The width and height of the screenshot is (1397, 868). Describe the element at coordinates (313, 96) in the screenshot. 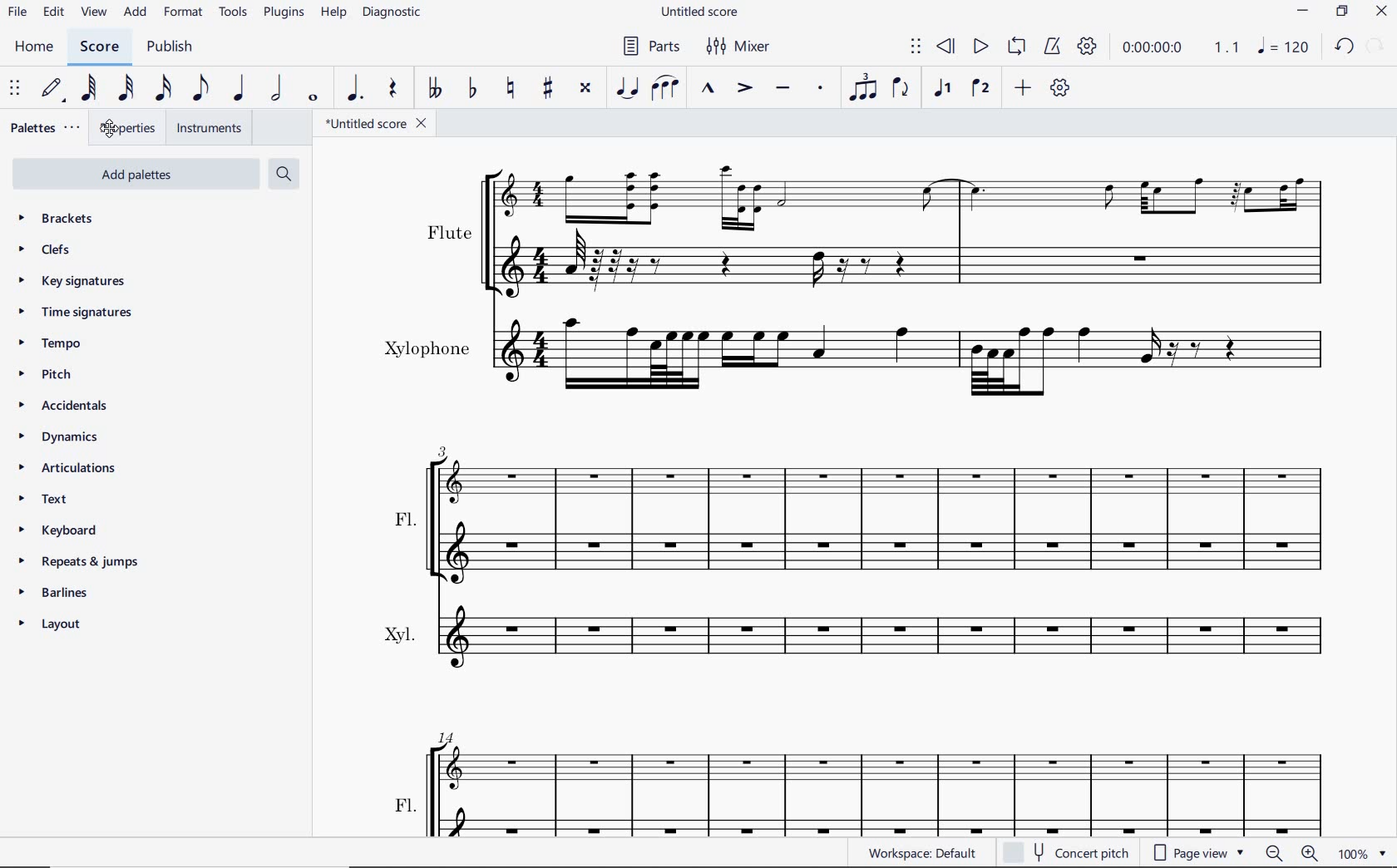

I see `WHOLE NOTE` at that location.